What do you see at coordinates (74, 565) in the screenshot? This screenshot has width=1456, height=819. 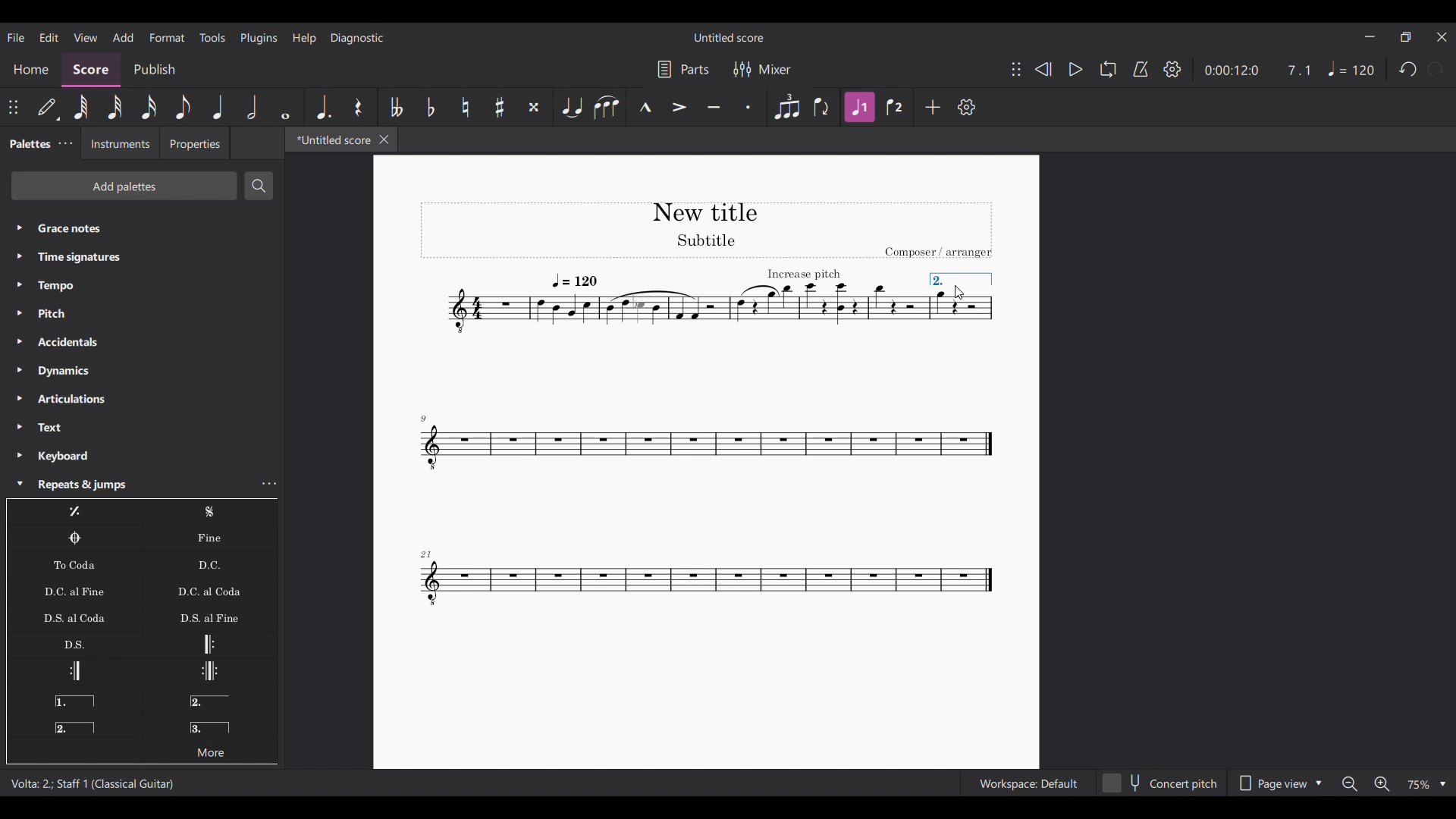 I see `To Coda` at bounding box center [74, 565].